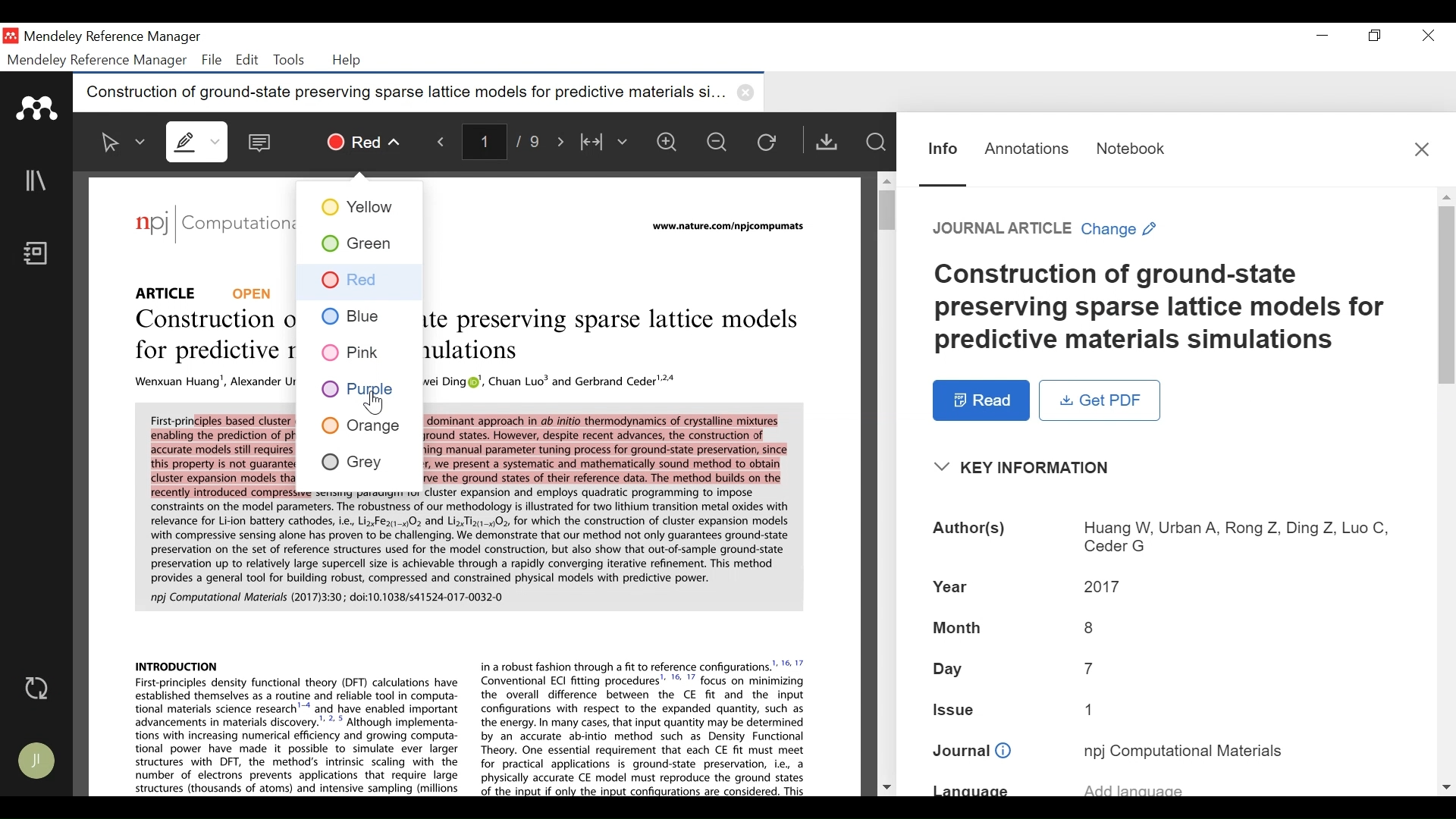 The image size is (1456, 819). What do you see at coordinates (1420, 149) in the screenshot?
I see `Close` at bounding box center [1420, 149].